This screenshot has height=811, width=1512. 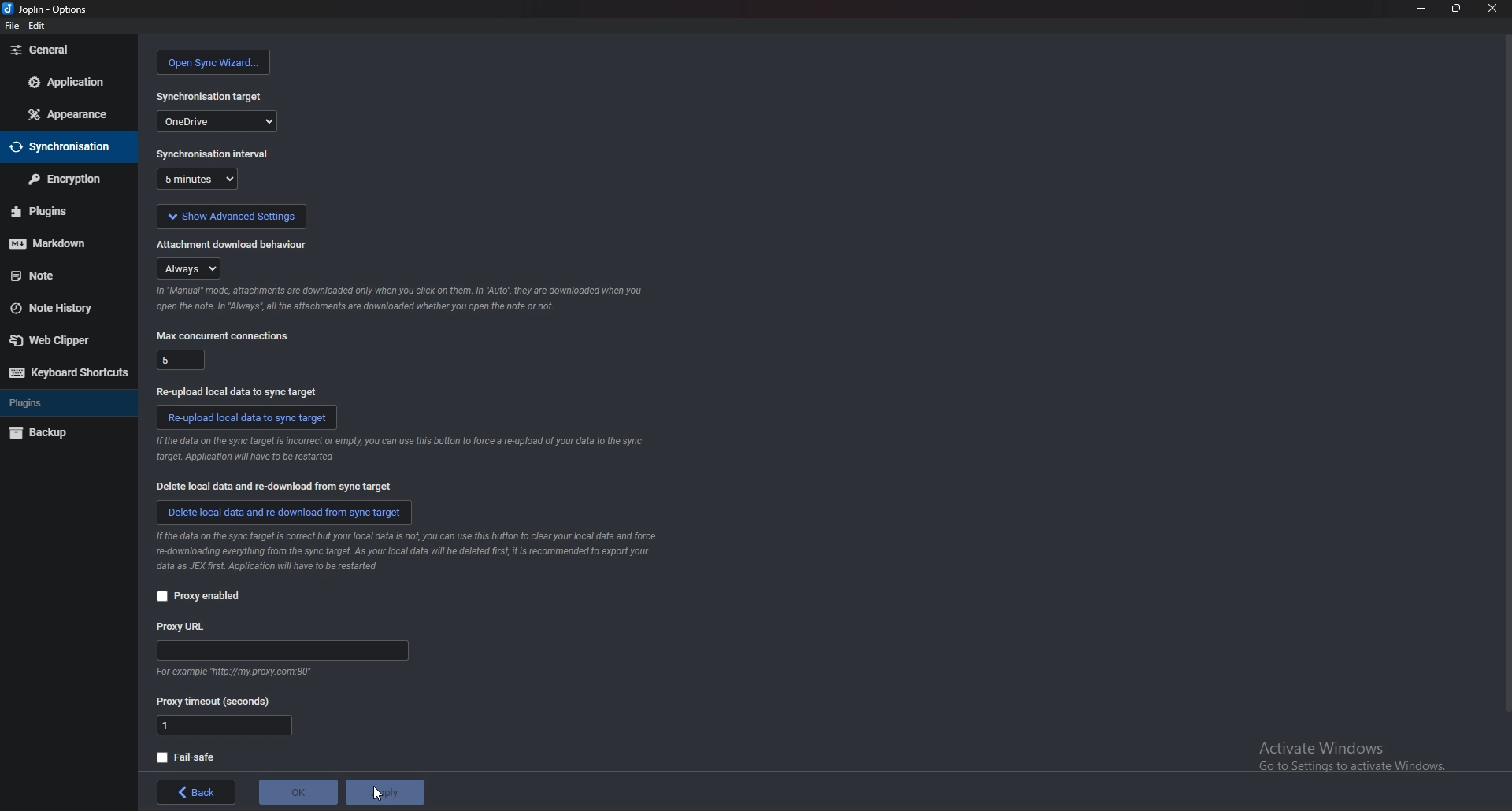 What do you see at coordinates (212, 62) in the screenshot?
I see `open sync wizard` at bounding box center [212, 62].